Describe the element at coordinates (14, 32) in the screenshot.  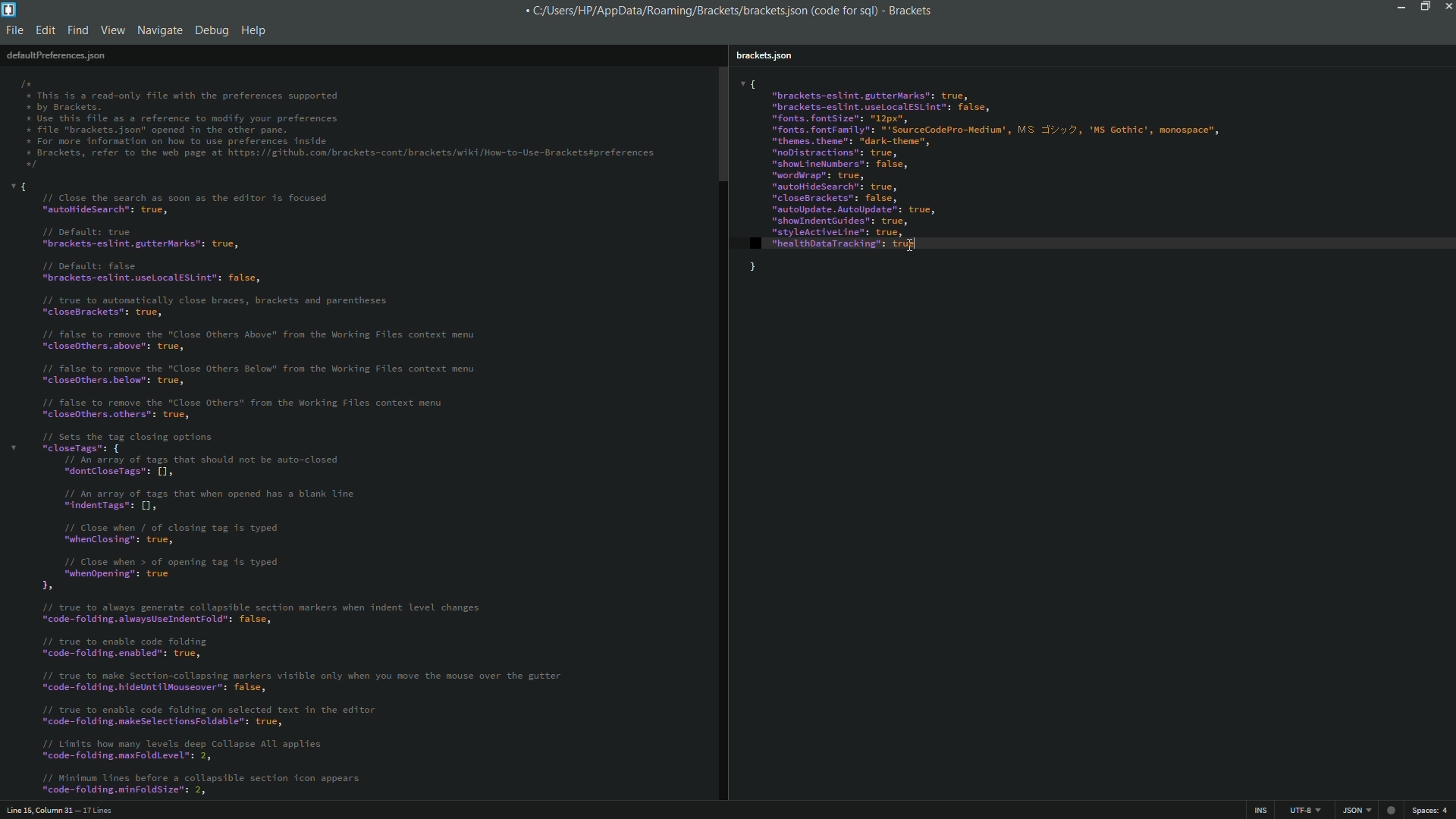
I see `File menu` at that location.